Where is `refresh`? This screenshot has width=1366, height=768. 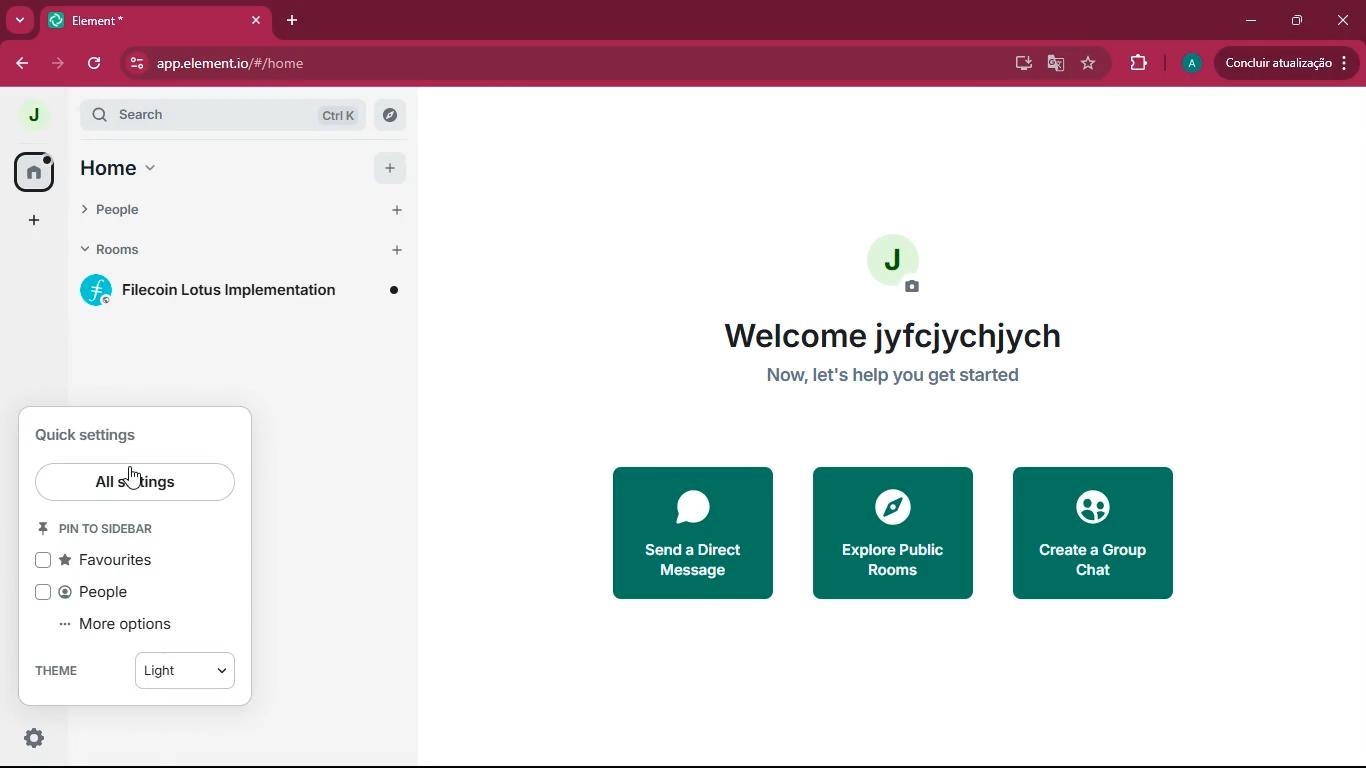
refresh is located at coordinates (96, 64).